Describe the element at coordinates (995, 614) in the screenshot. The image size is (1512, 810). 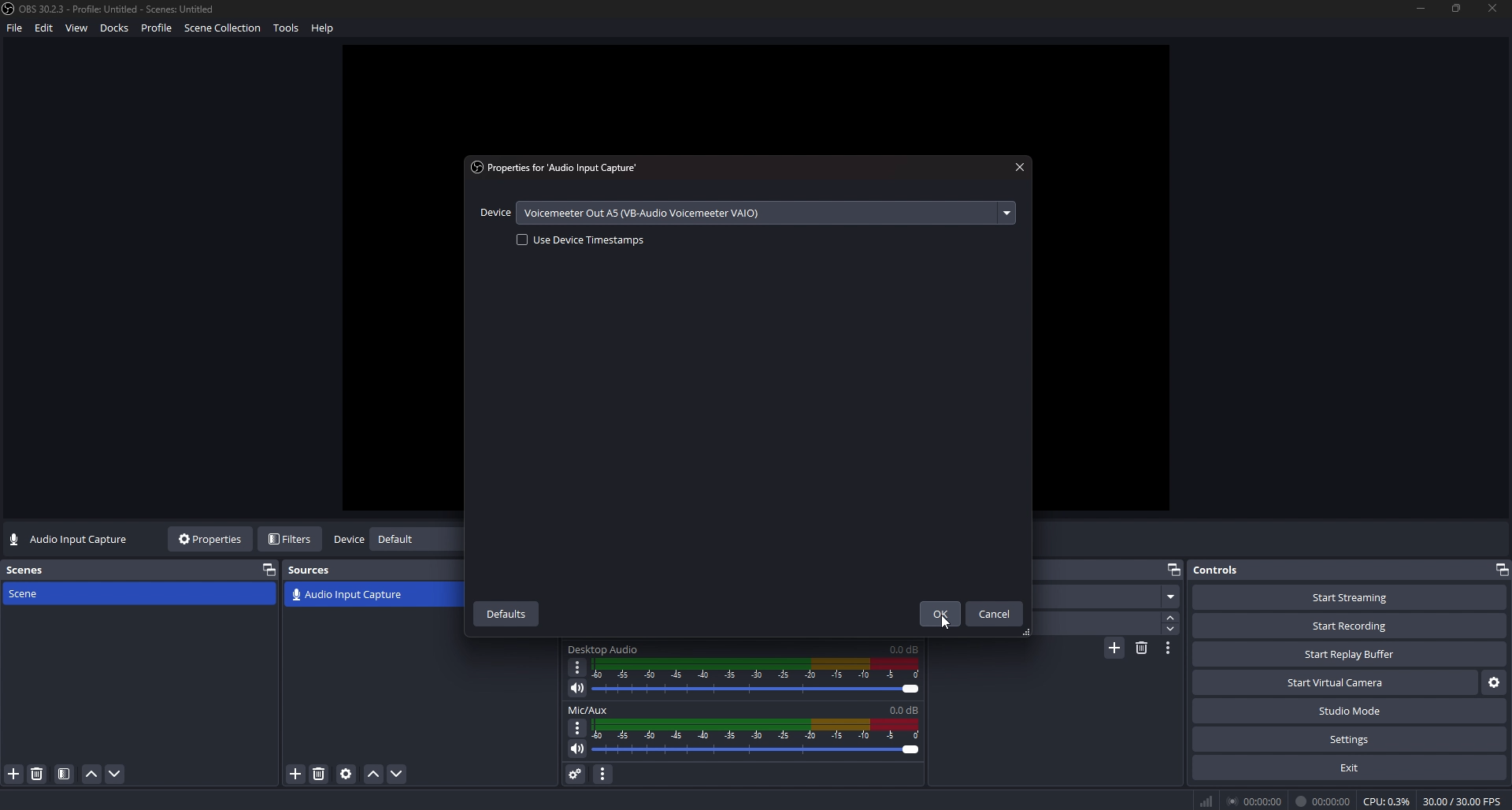
I see `cancel` at that location.